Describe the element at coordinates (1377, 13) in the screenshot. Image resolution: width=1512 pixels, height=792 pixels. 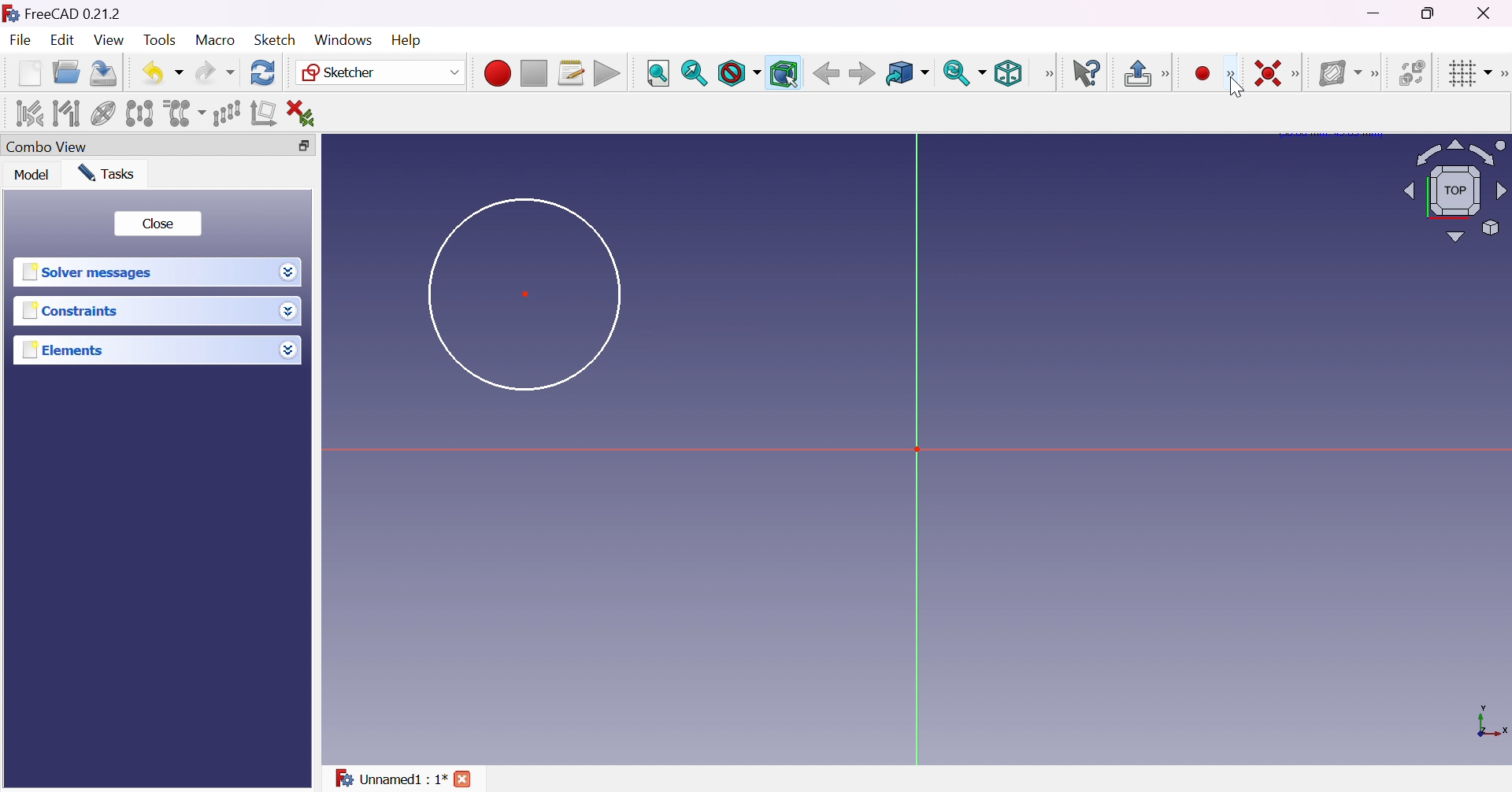
I see `Minimize` at that location.